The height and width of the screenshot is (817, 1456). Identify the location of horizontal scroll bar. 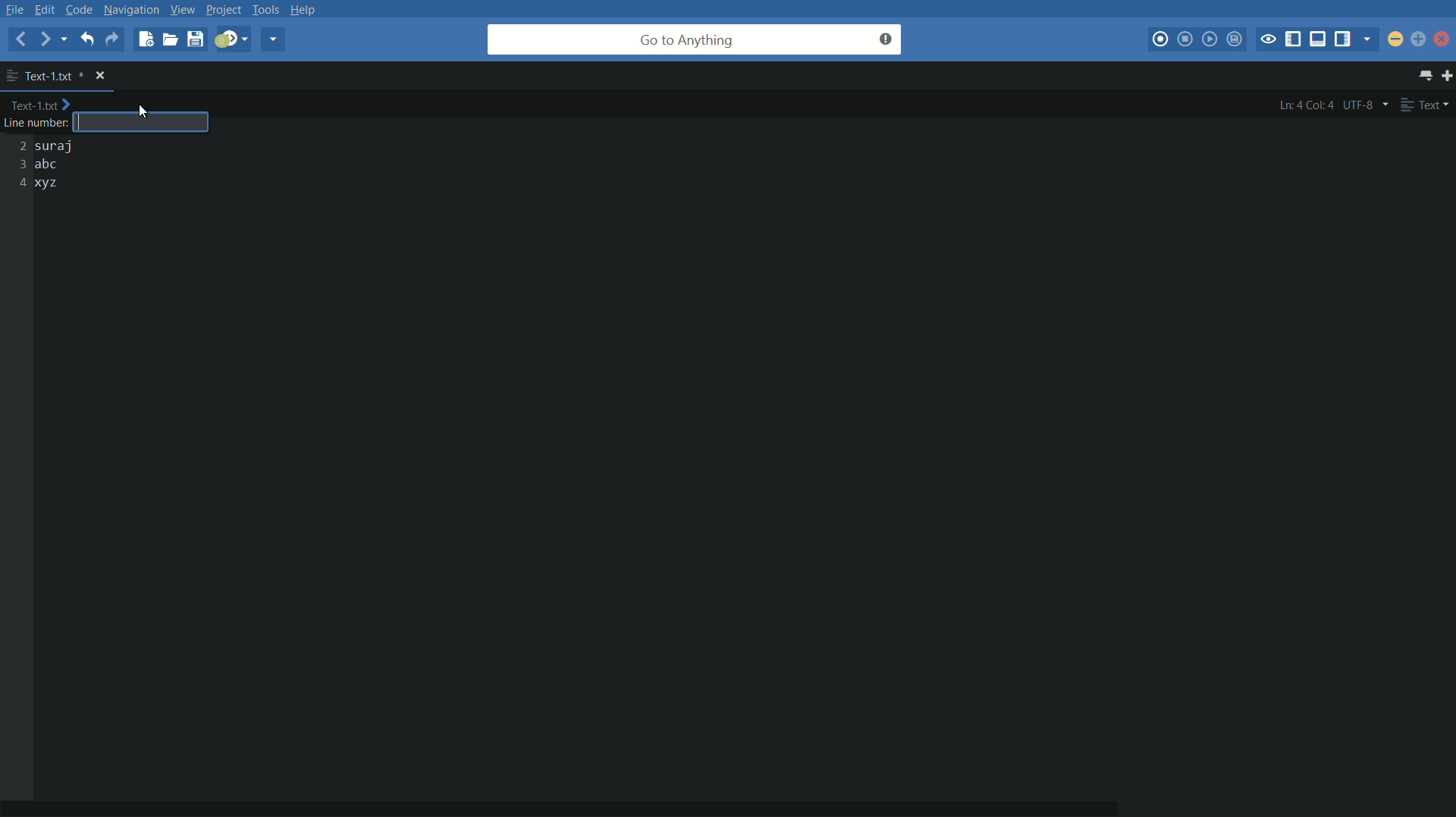
(591, 798).